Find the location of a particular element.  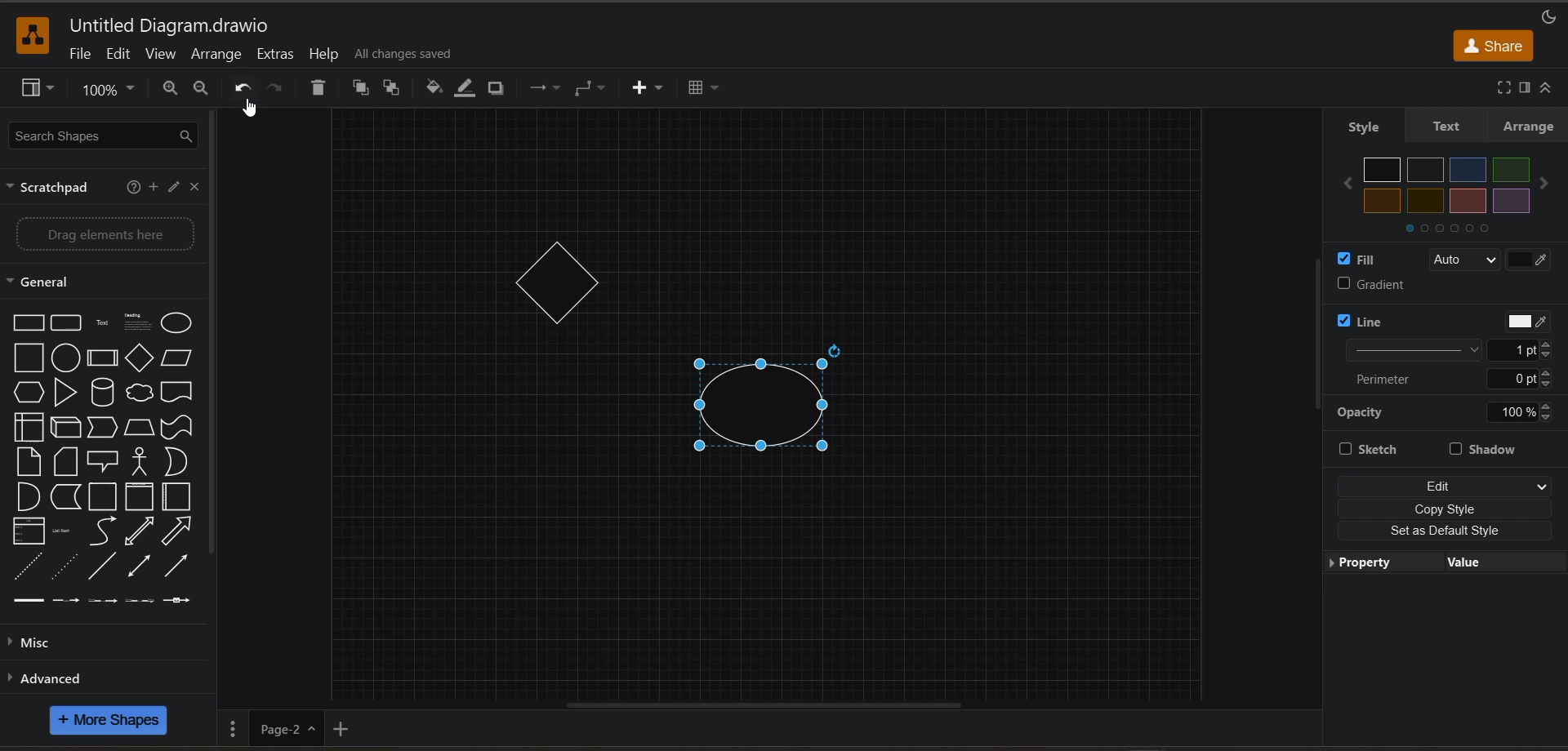

to front is located at coordinates (356, 87).